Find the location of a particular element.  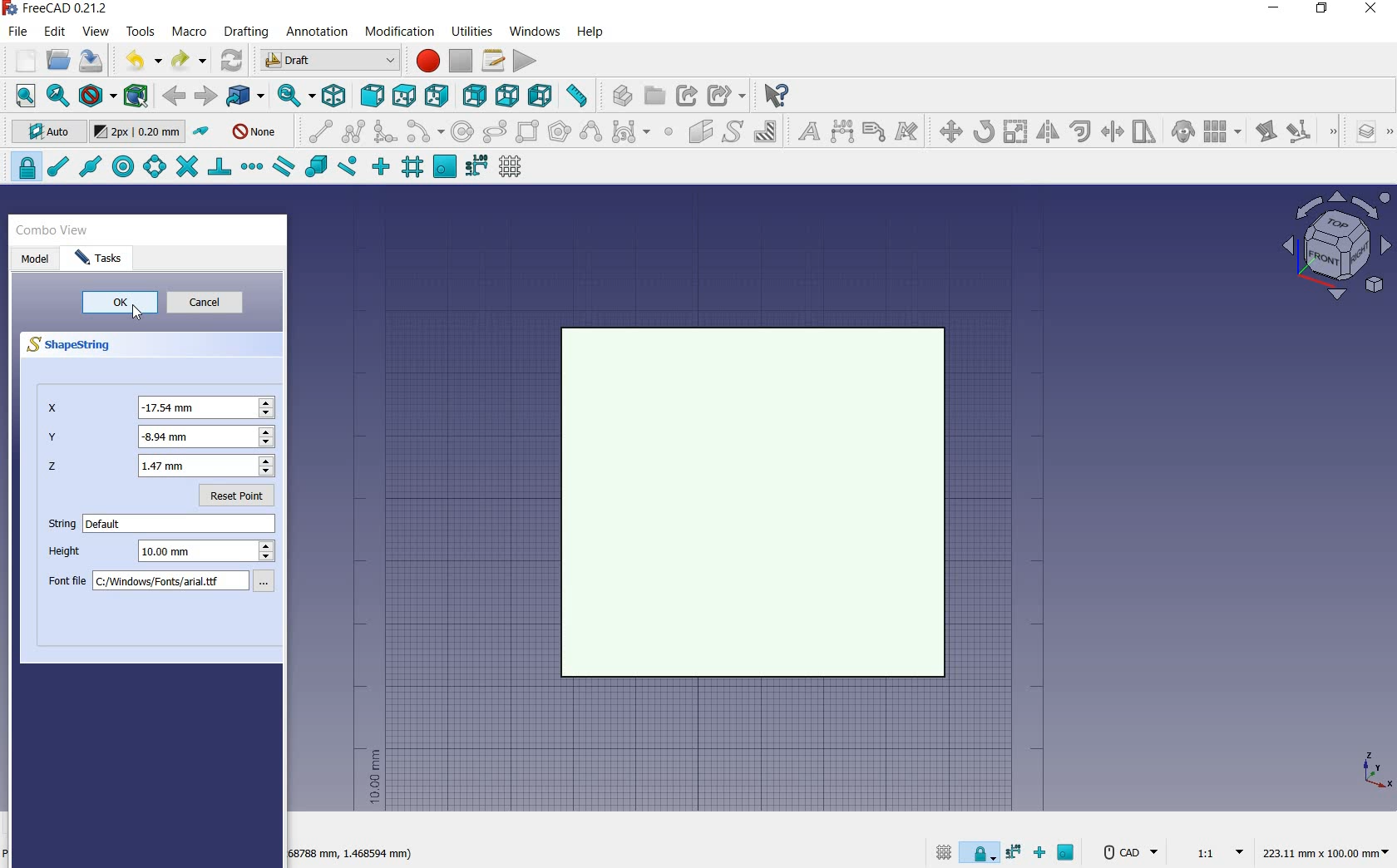

change default style for new objects is located at coordinates (140, 134).